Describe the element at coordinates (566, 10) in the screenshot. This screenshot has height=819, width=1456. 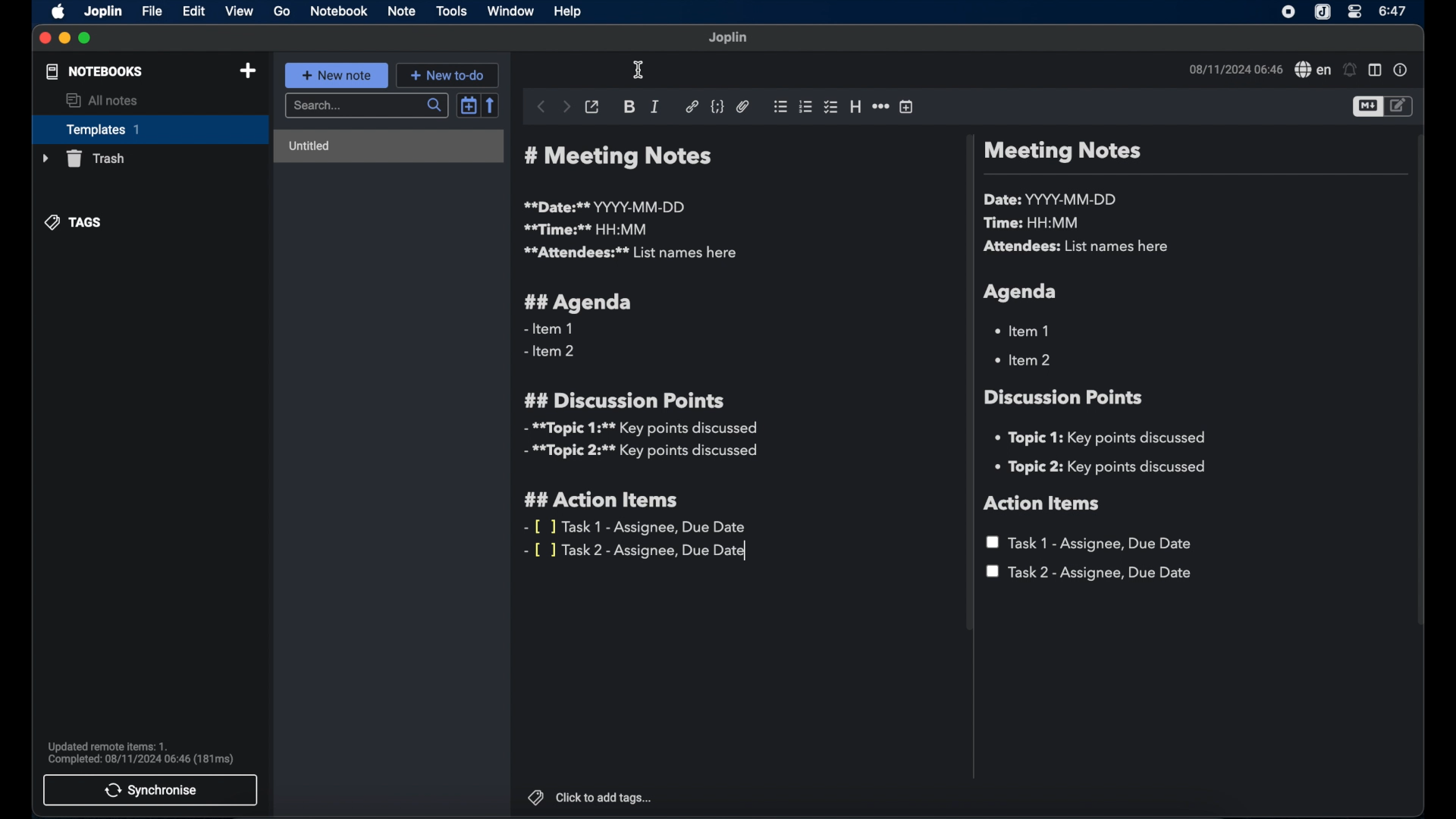
I see `help` at that location.